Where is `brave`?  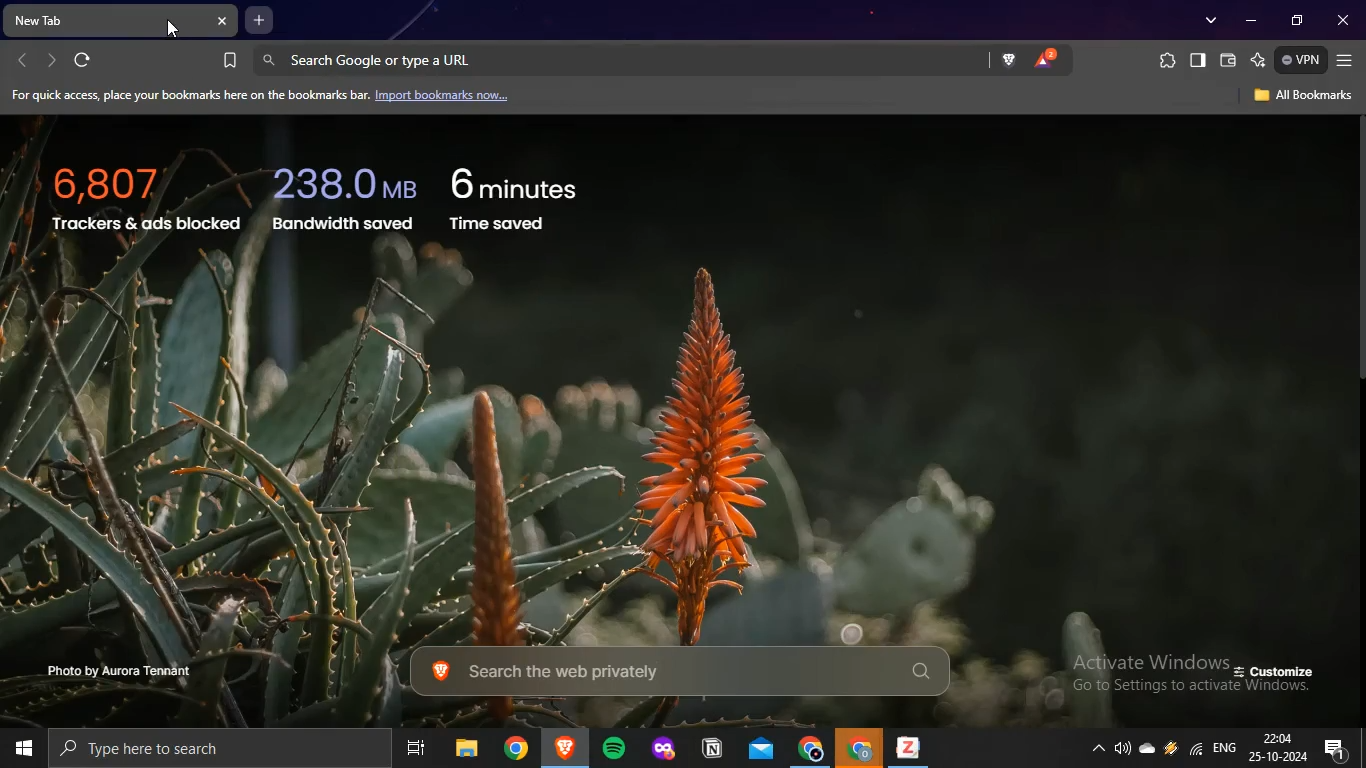 brave is located at coordinates (564, 748).